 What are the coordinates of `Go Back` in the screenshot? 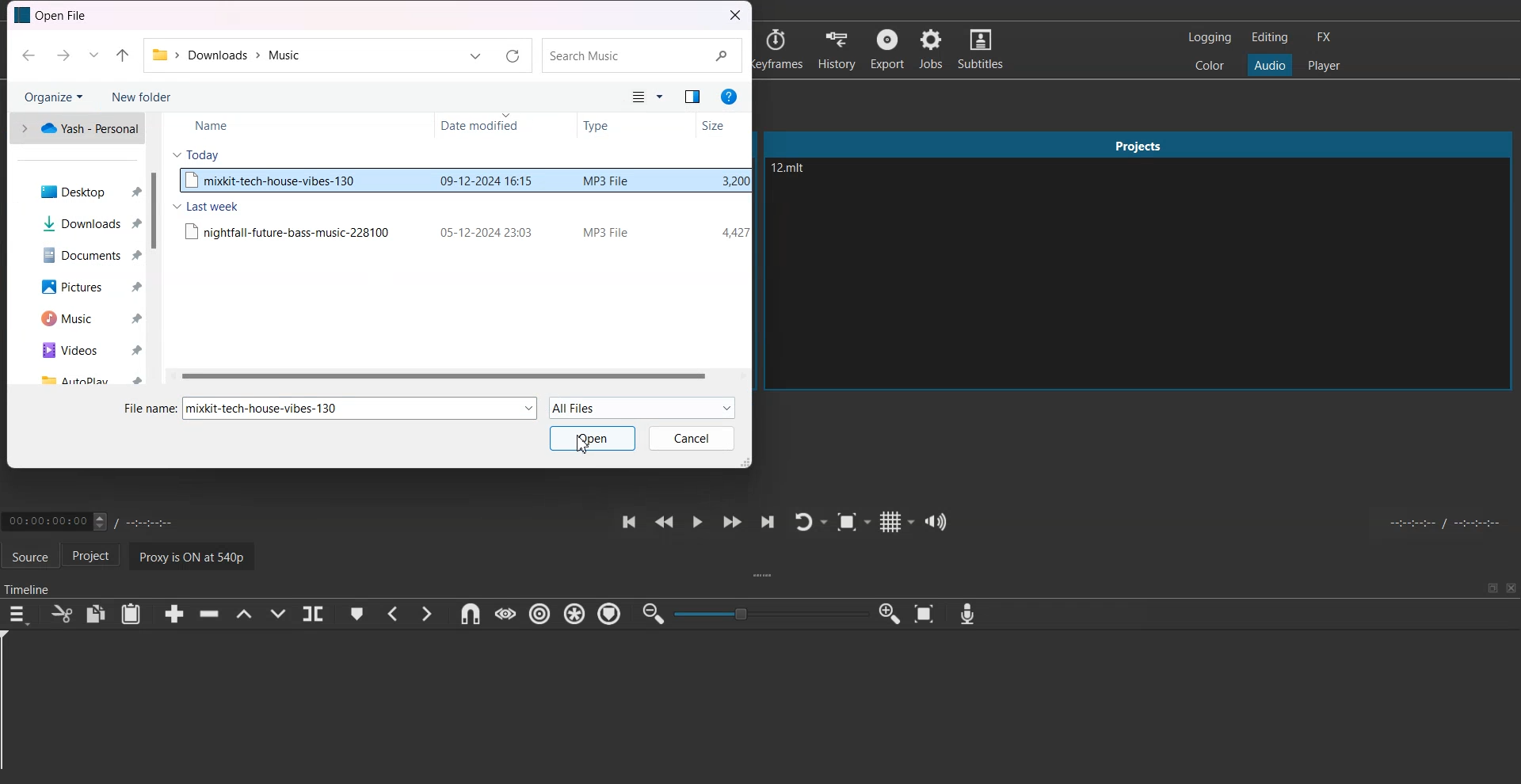 It's located at (28, 56).